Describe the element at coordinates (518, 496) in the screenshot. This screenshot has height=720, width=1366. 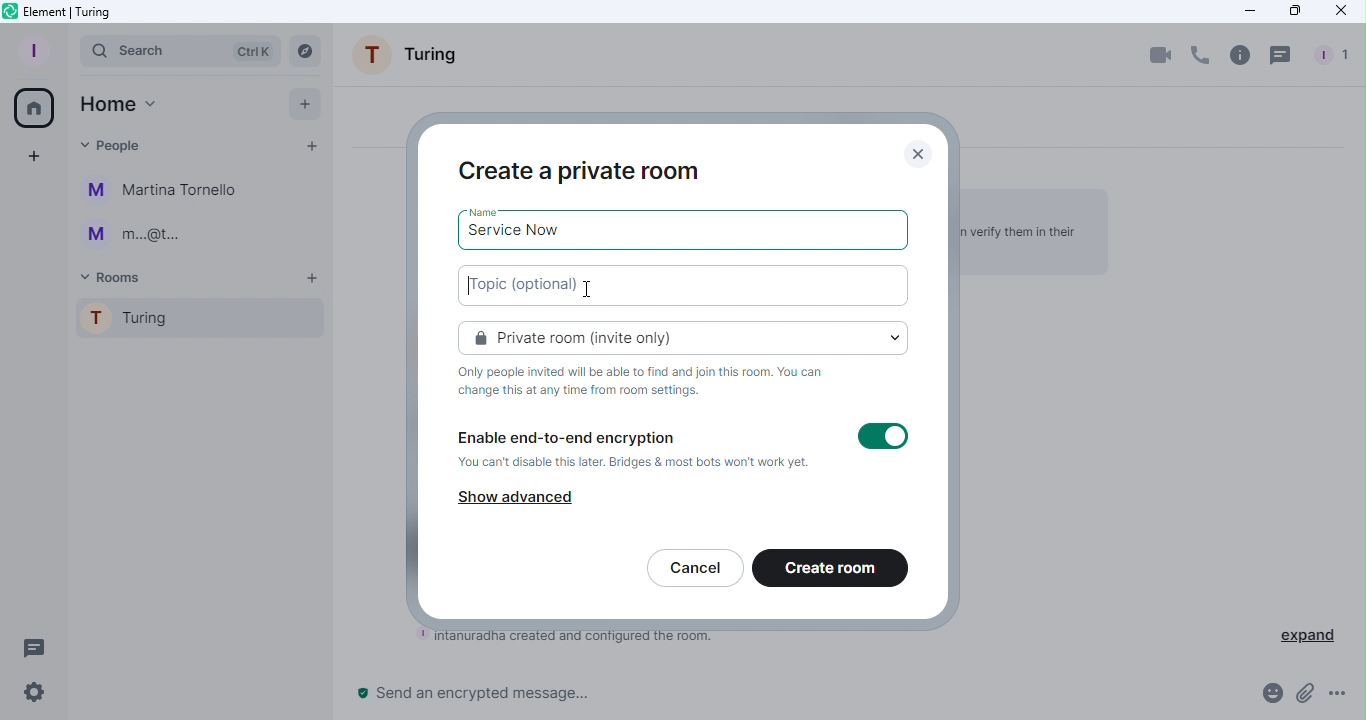
I see `Show advanced` at that location.